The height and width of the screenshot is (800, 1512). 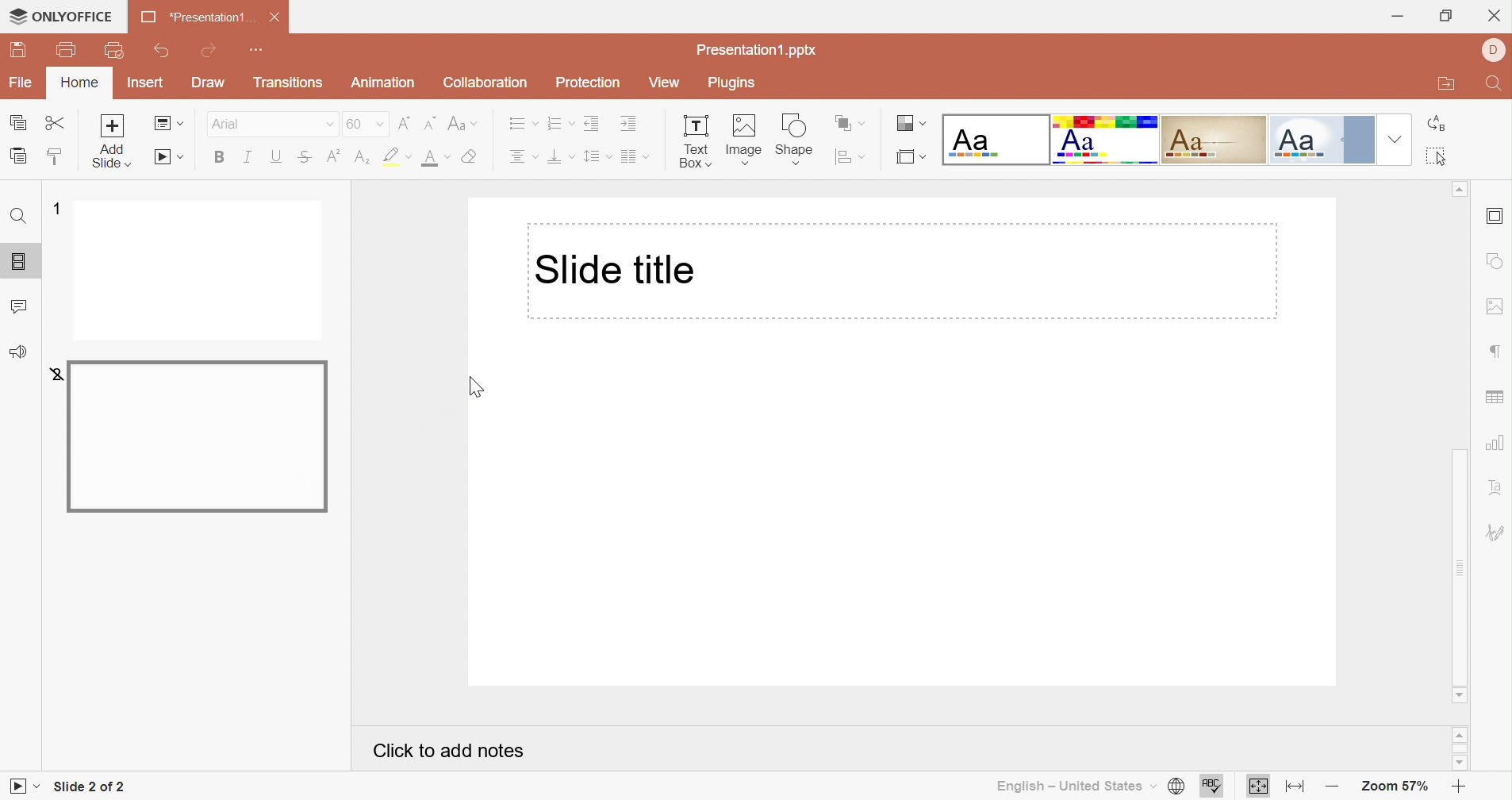 What do you see at coordinates (1491, 47) in the screenshot?
I see `DELL` at bounding box center [1491, 47].